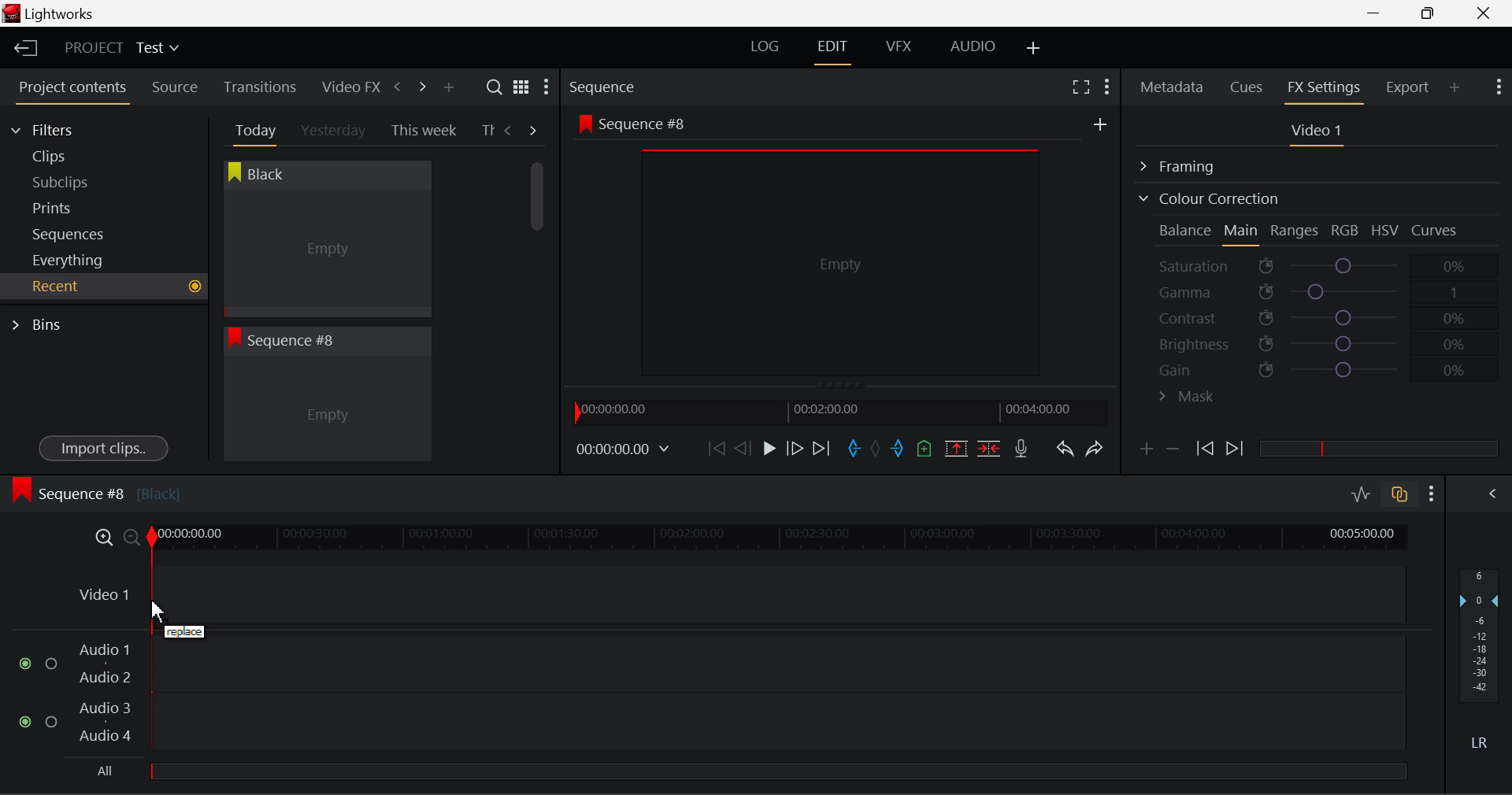 The image size is (1512, 795). What do you see at coordinates (260, 87) in the screenshot?
I see `Transitions` at bounding box center [260, 87].